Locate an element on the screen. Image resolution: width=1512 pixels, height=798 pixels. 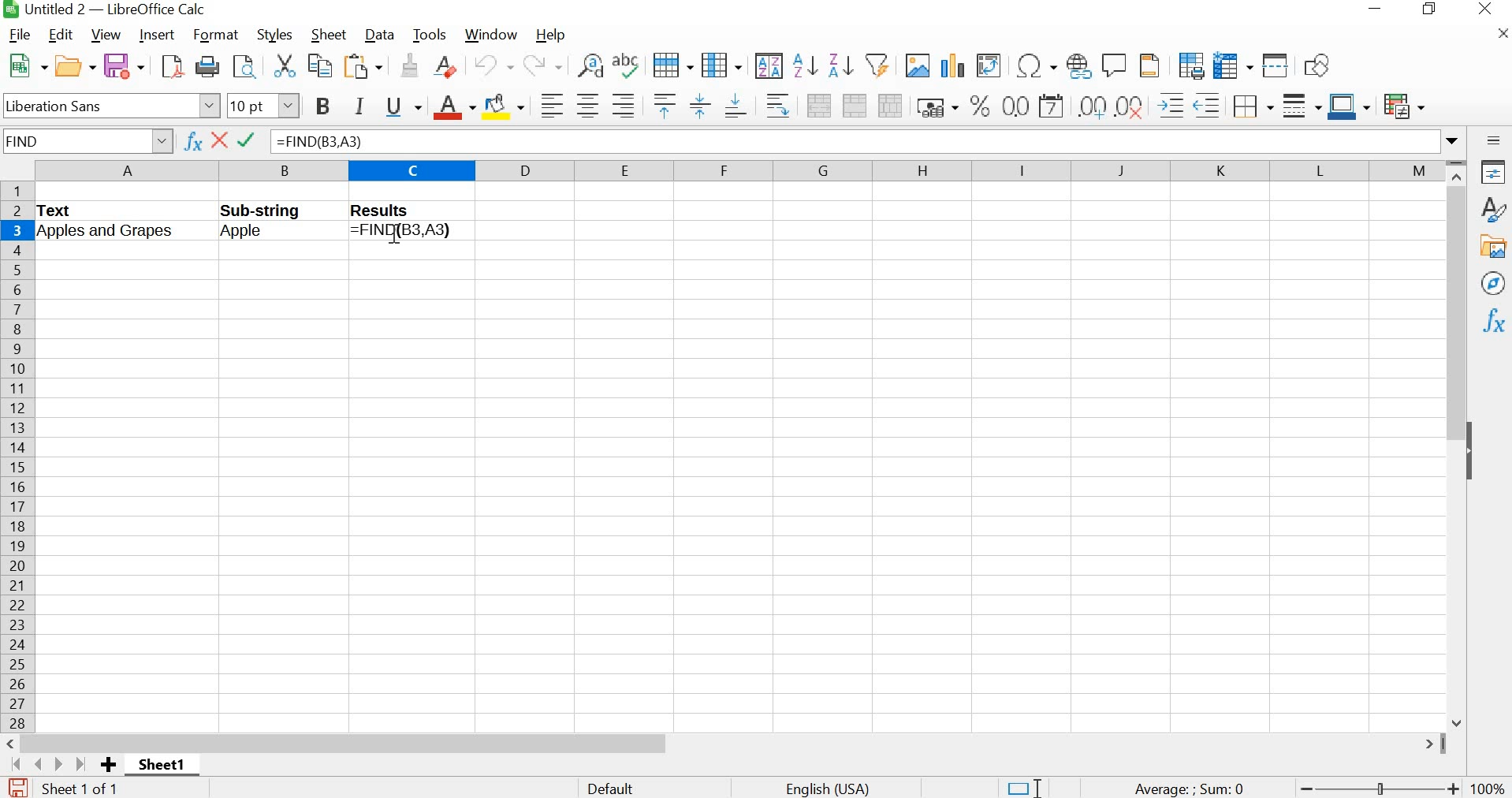
Apple is located at coordinates (259, 233).